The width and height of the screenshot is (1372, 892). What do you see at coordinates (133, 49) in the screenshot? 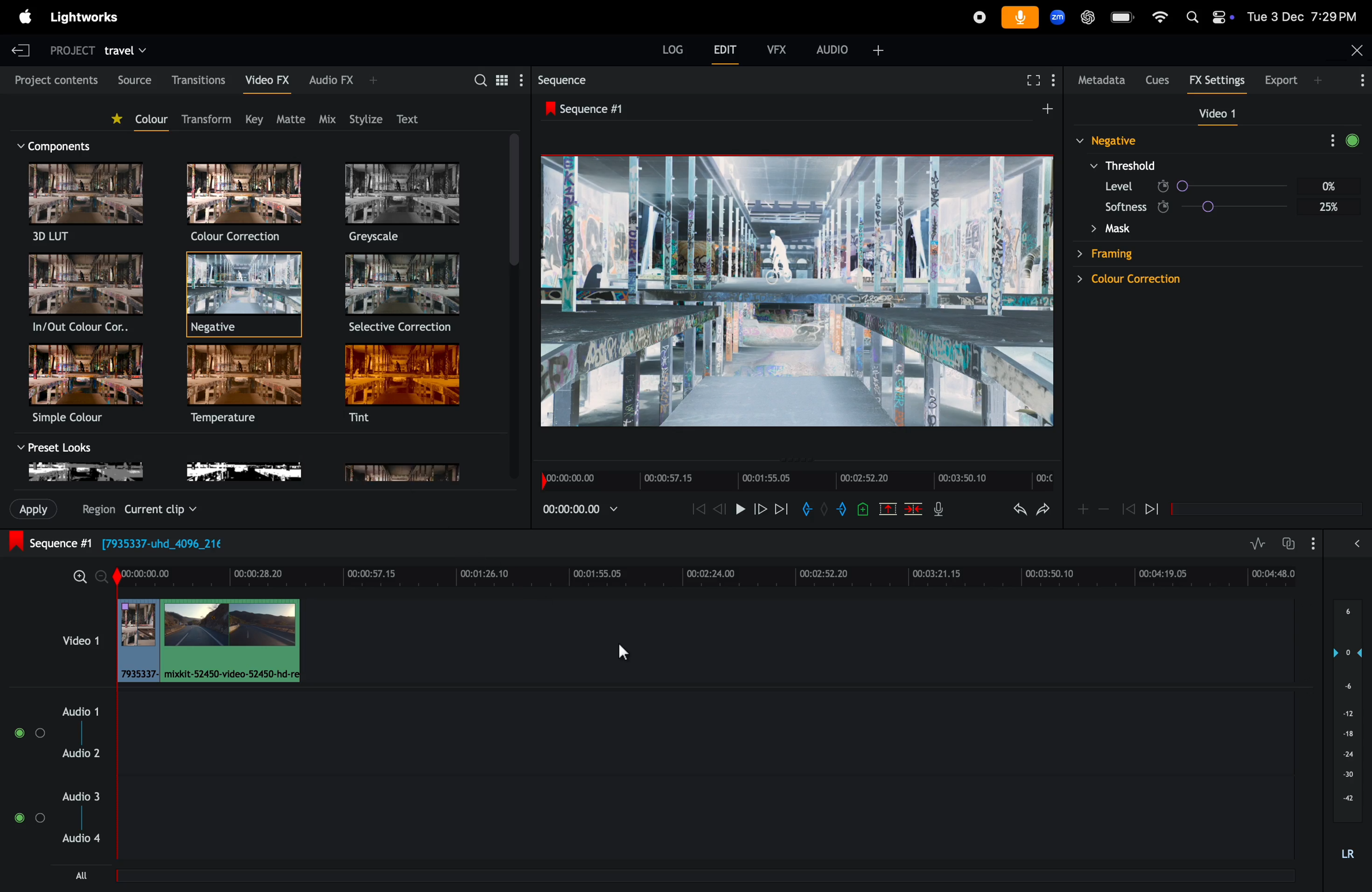
I see `travel` at bounding box center [133, 49].